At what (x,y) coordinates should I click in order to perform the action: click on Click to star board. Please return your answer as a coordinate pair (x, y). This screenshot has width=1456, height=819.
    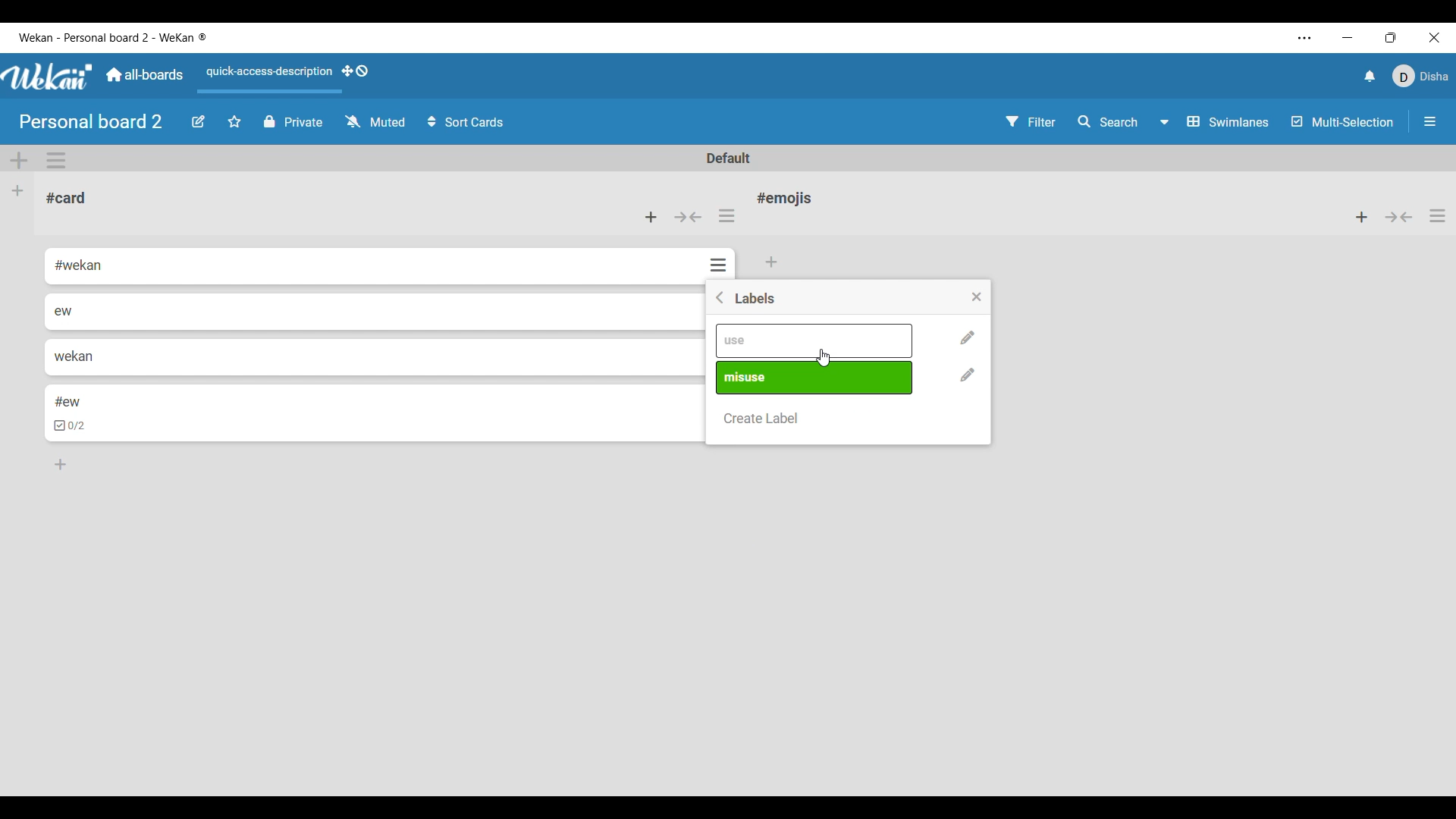
    Looking at the image, I should click on (234, 122).